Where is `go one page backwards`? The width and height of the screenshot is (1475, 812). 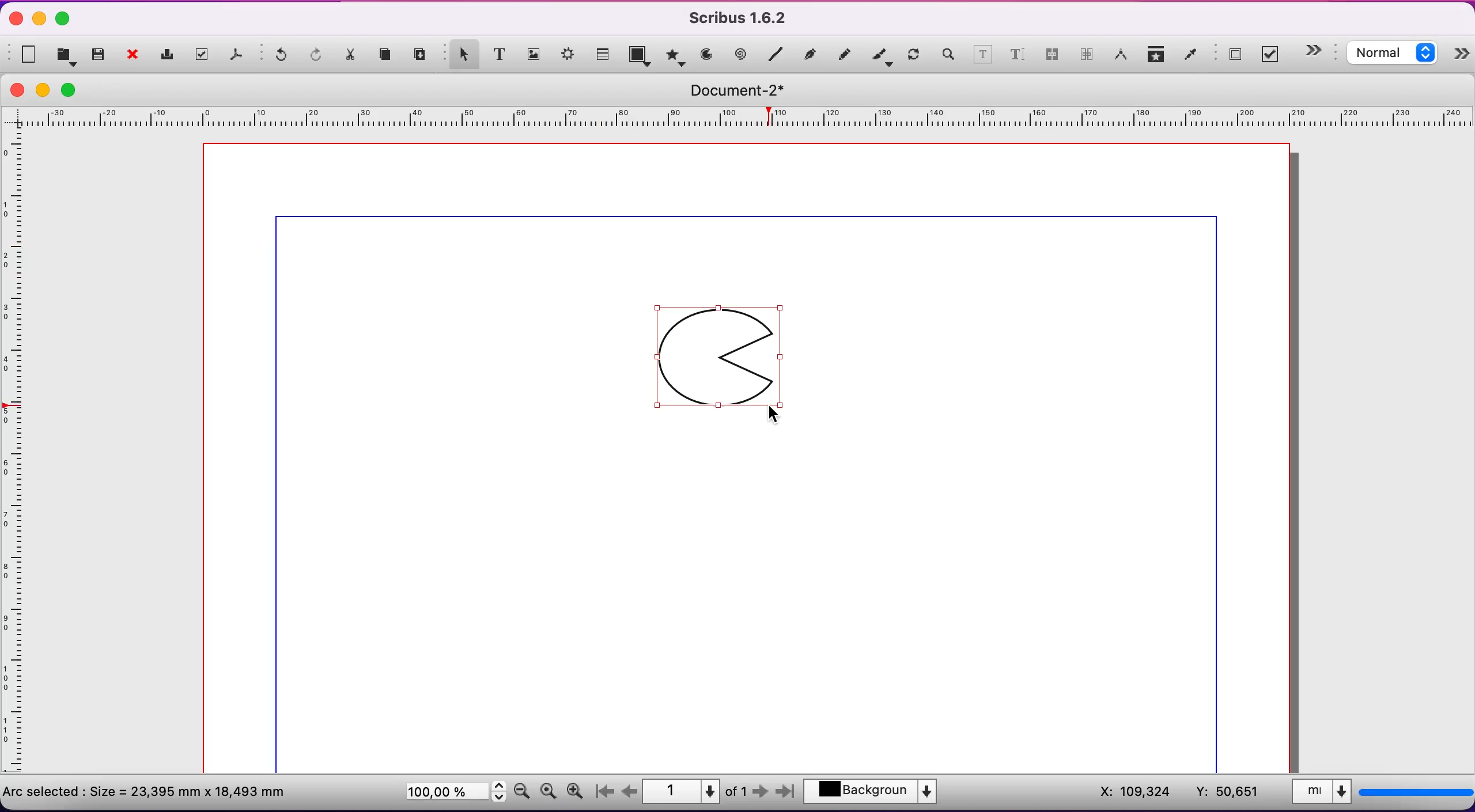
go one page backwards is located at coordinates (630, 791).